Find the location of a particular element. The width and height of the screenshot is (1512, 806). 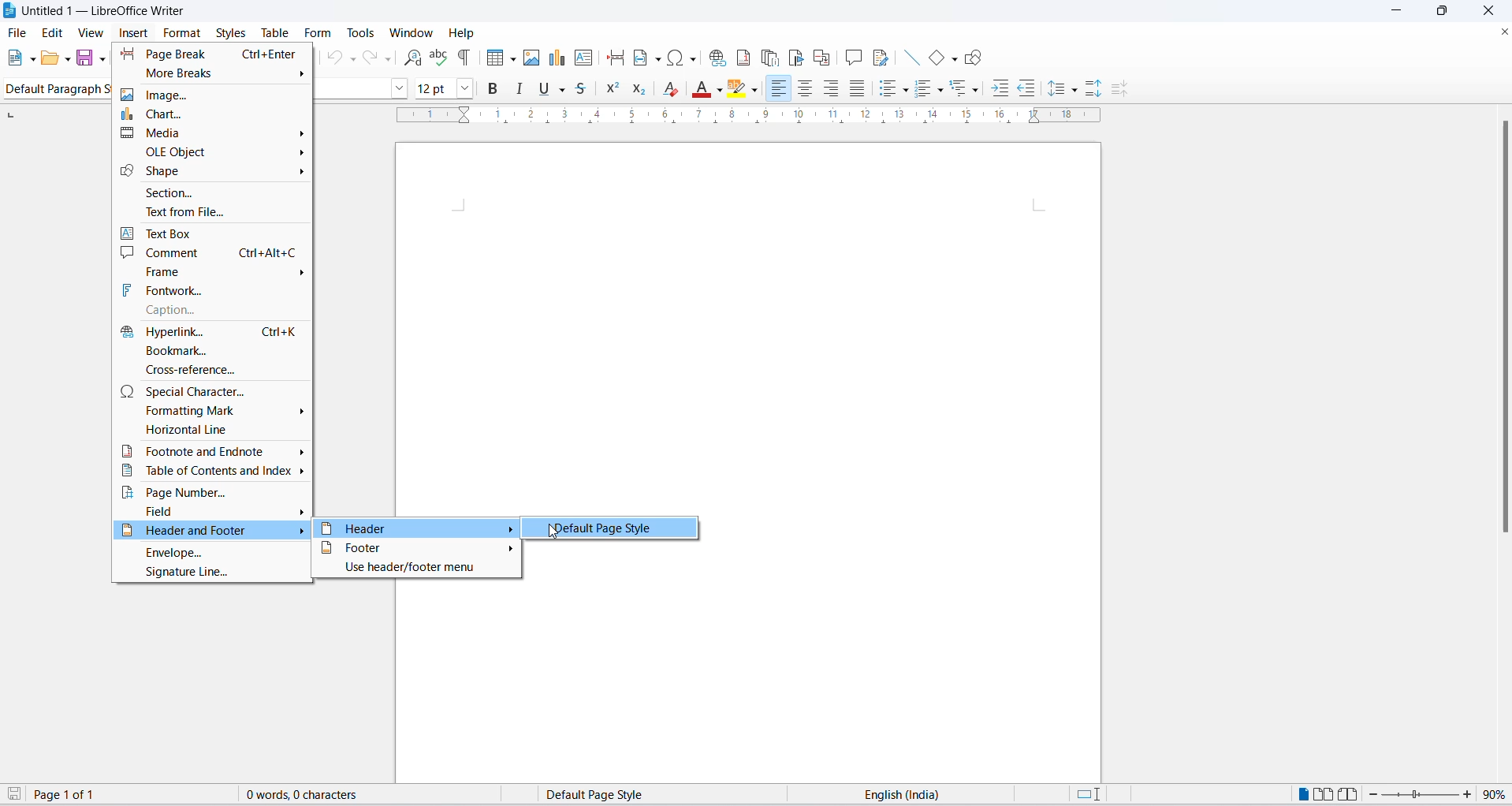

window is located at coordinates (408, 33).